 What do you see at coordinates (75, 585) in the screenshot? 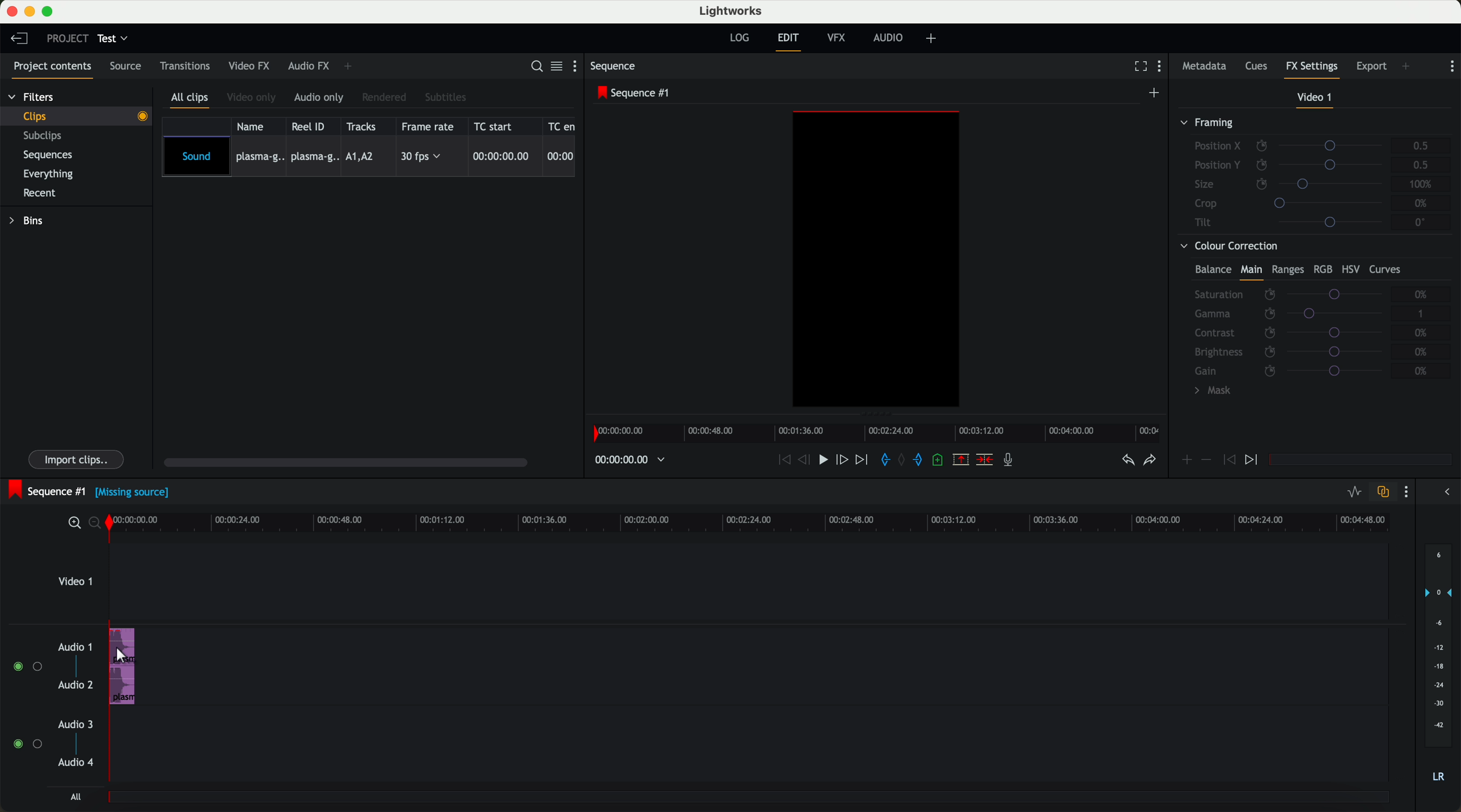
I see `video 1` at bounding box center [75, 585].